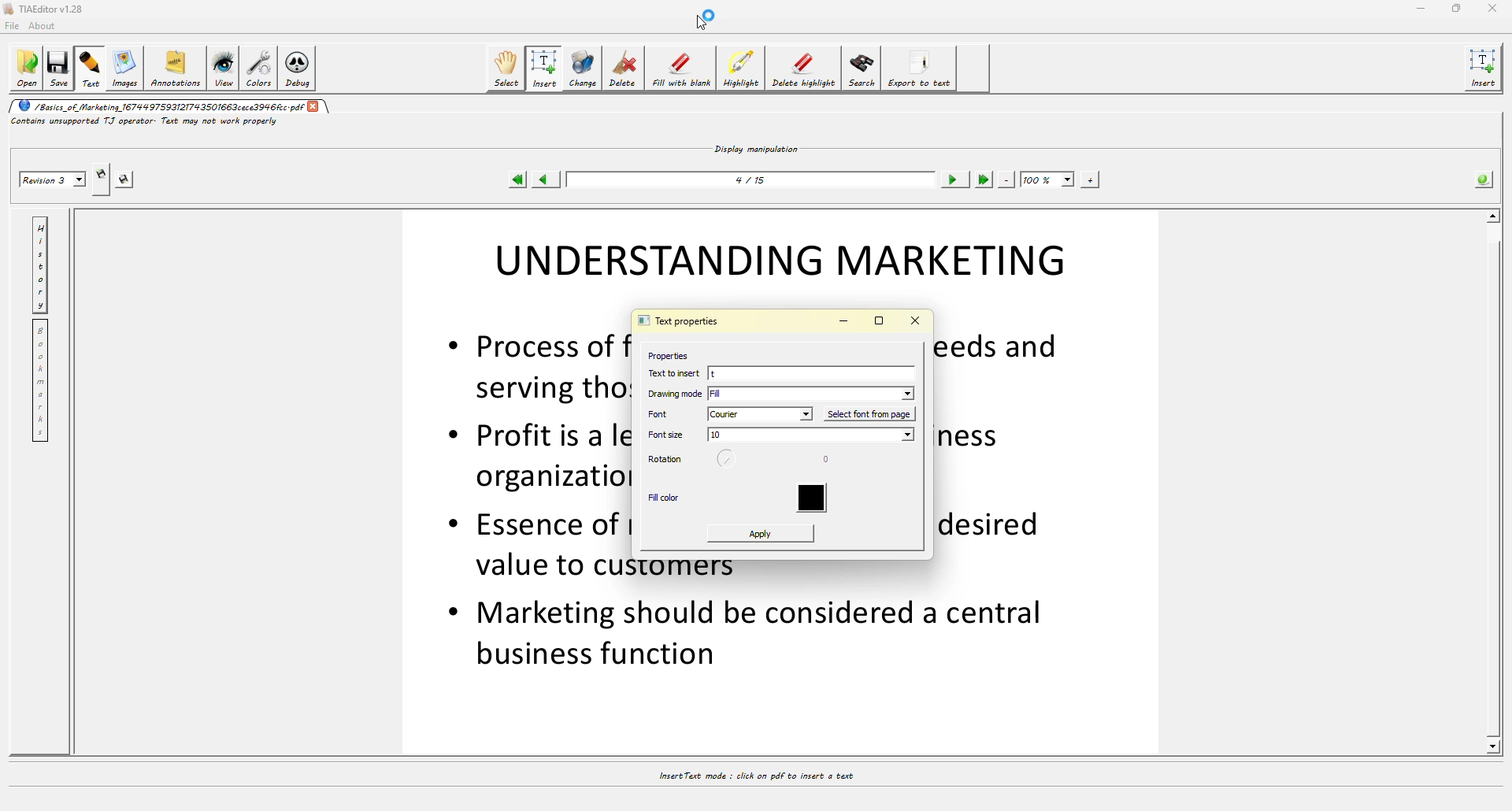  Describe the element at coordinates (127, 181) in the screenshot. I see `saves the revision` at that location.